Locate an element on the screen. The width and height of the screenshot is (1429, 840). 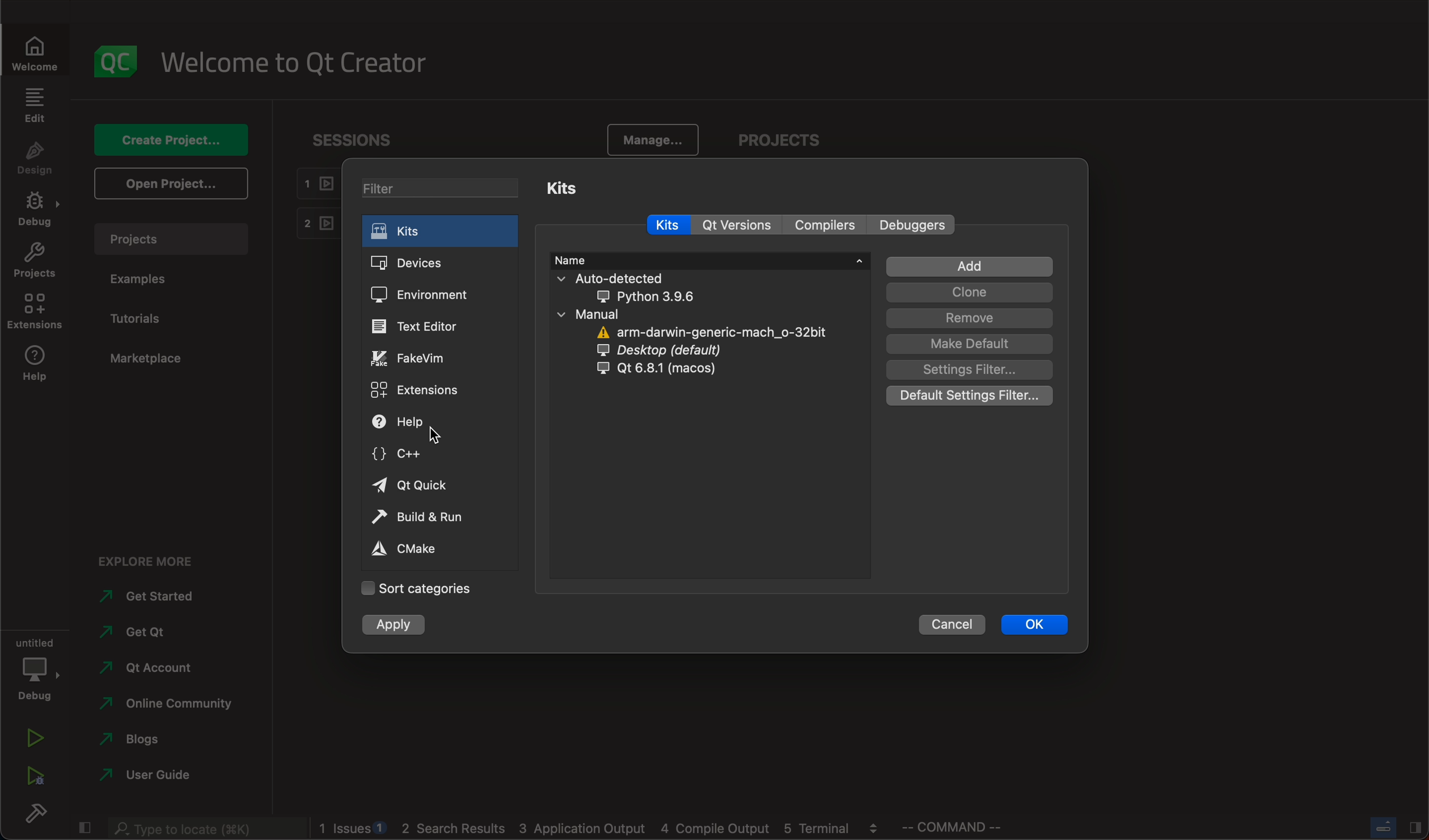
c++ is located at coordinates (407, 457).